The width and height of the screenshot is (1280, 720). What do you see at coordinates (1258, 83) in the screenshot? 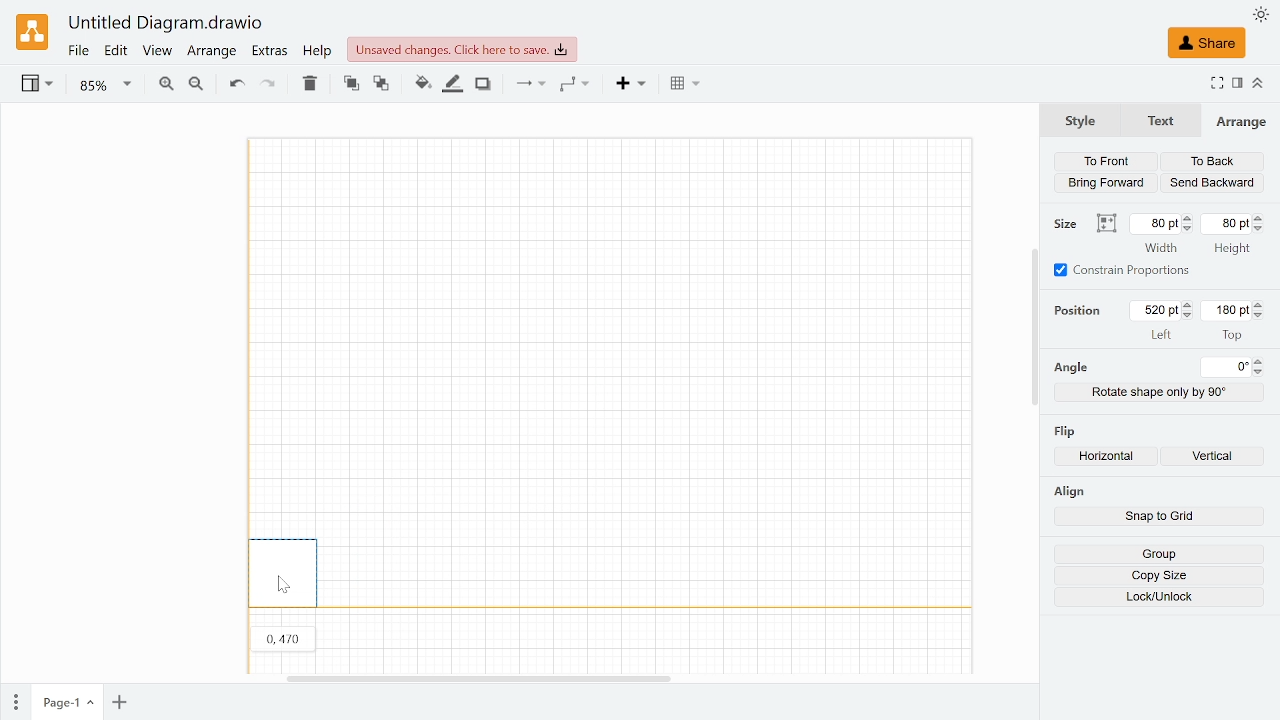
I see `Collapse /expamd` at bounding box center [1258, 83].